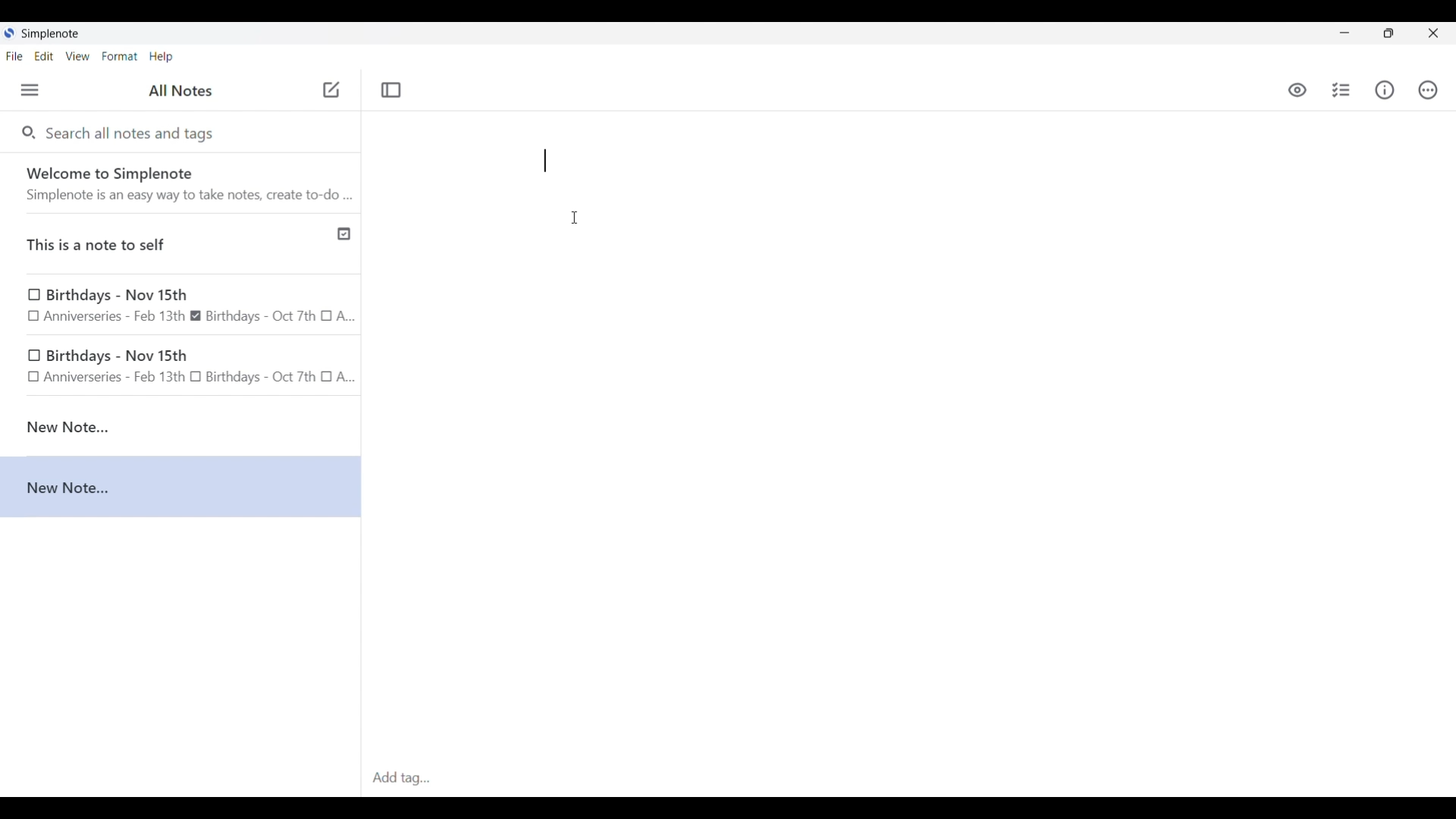 The width and height of the screenshot is (1456, 819). What do you see at coordinates (14, 55) in the screenshot?
I see `File menu` at bounding box center [14, 55].